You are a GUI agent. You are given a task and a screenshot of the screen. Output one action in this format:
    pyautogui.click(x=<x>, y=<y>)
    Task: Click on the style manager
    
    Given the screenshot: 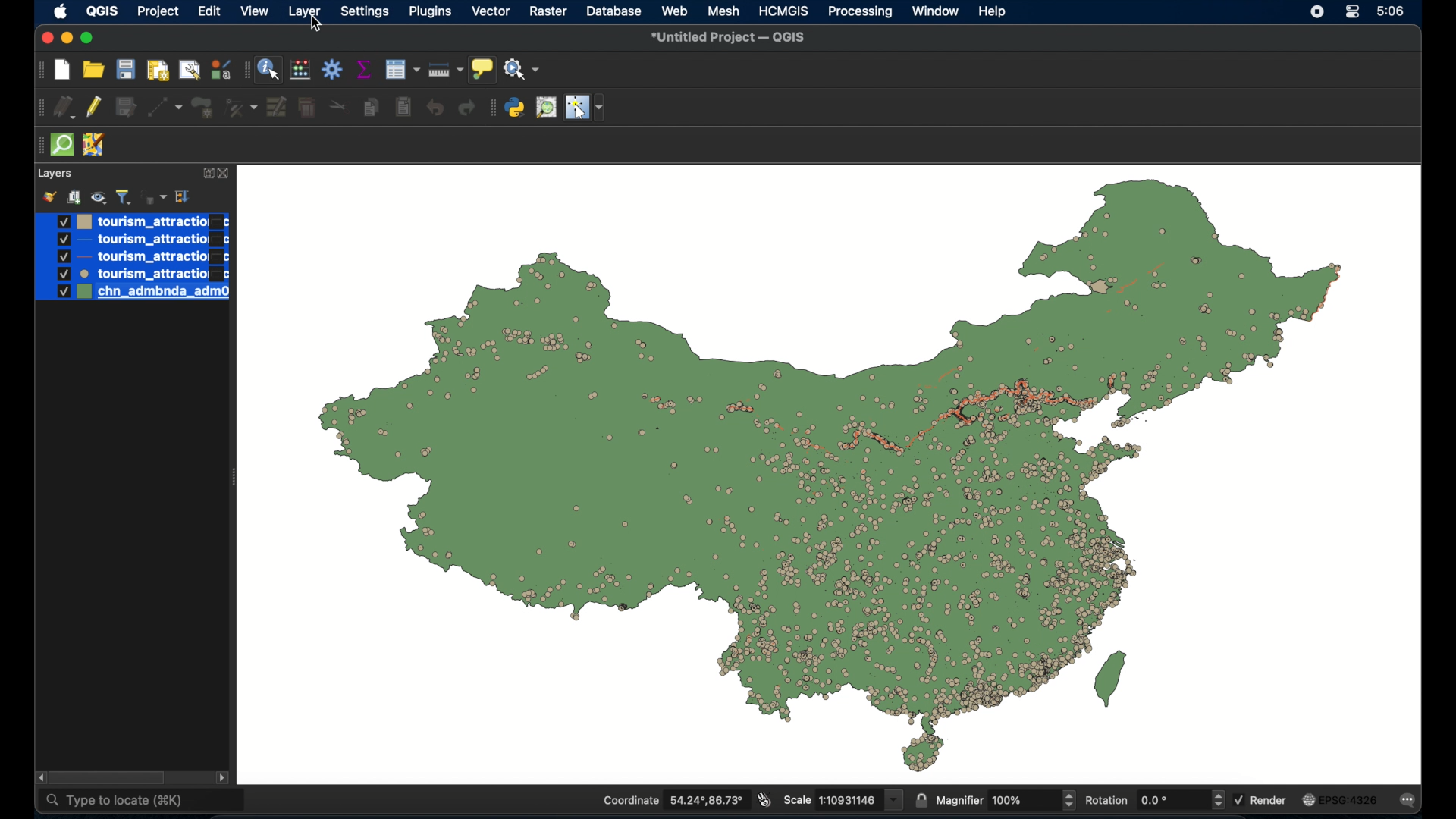 What is the action you would take?
    pyautogui.click(x=219, y=68)
    